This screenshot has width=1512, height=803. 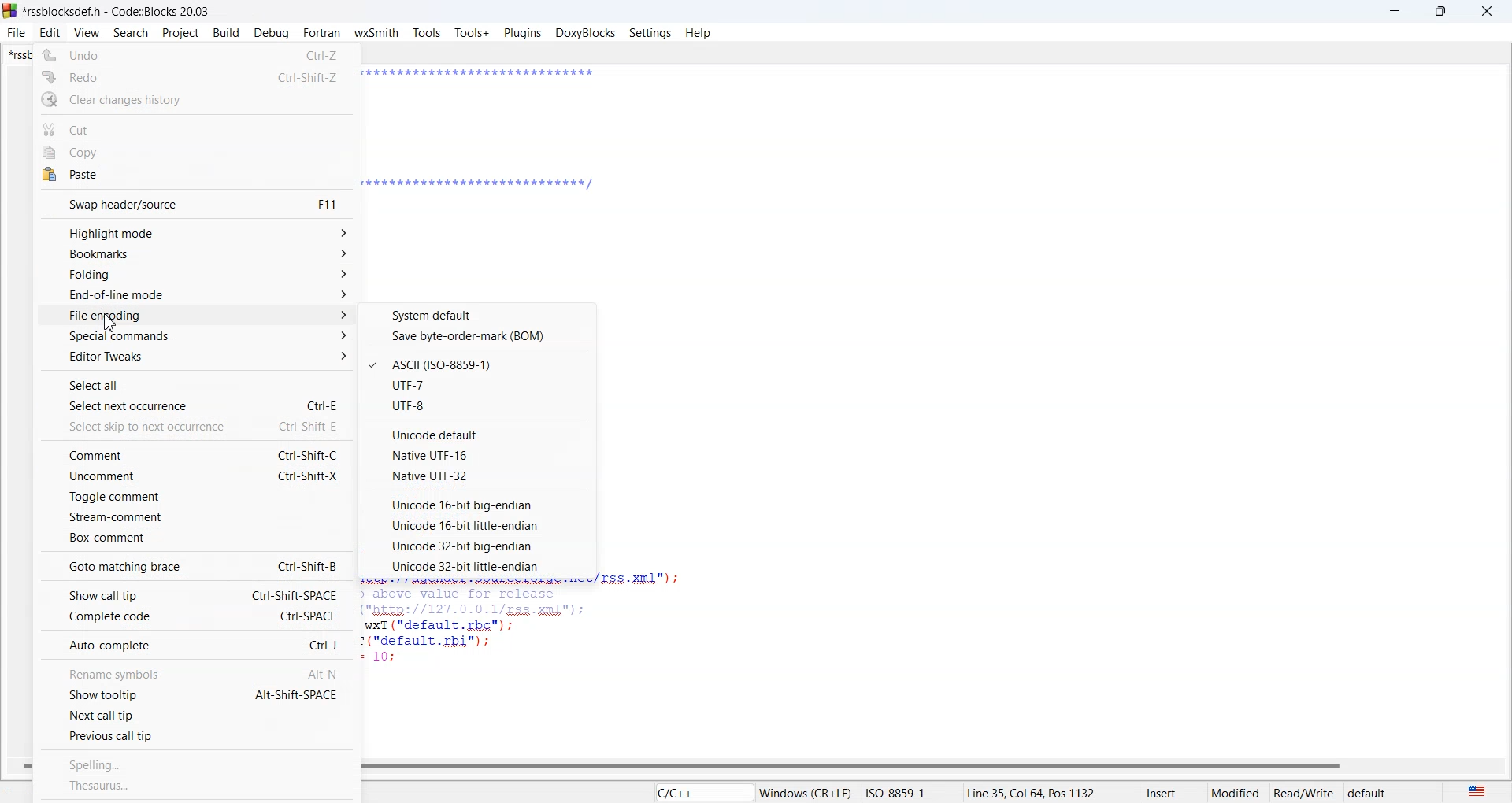 What do you see at coordinates (198, 425) in the screenshot?
I see `select skip to next occurrence` at bounding box center [198, 425].